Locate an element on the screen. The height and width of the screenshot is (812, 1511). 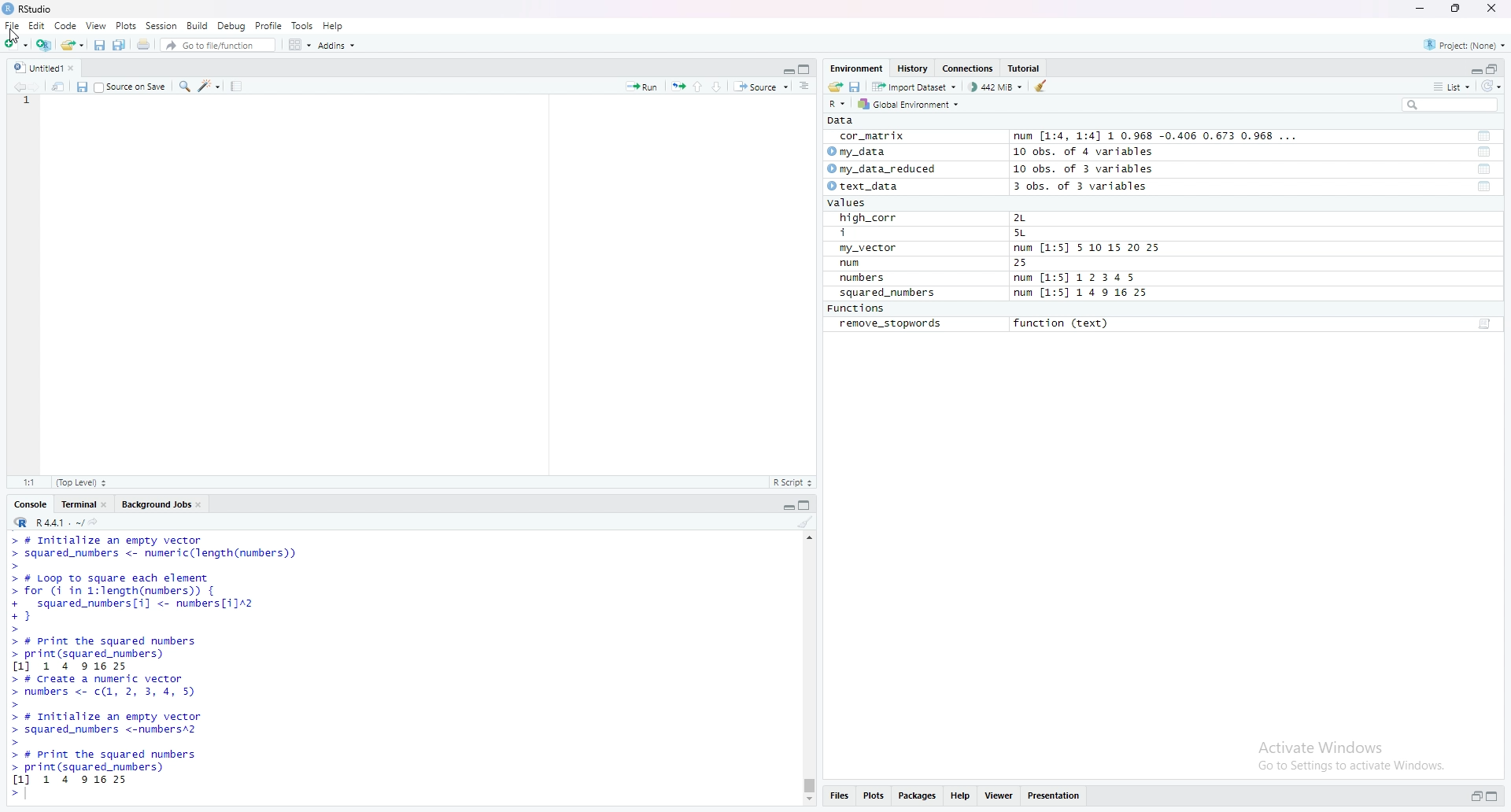
vbertical Scrollbar  is located at coordinates (806, 783).